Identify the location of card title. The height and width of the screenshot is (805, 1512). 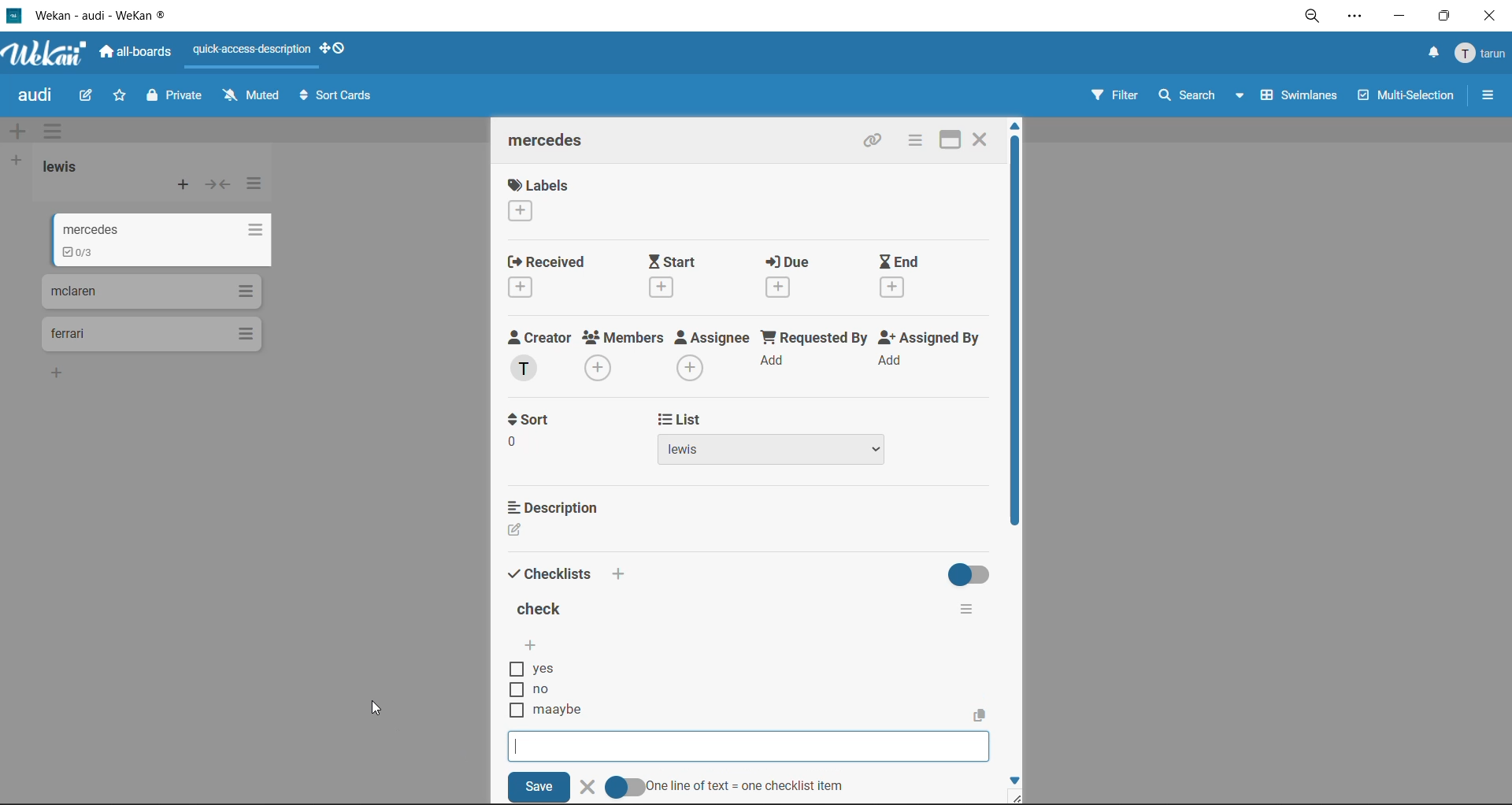
(552, 140).